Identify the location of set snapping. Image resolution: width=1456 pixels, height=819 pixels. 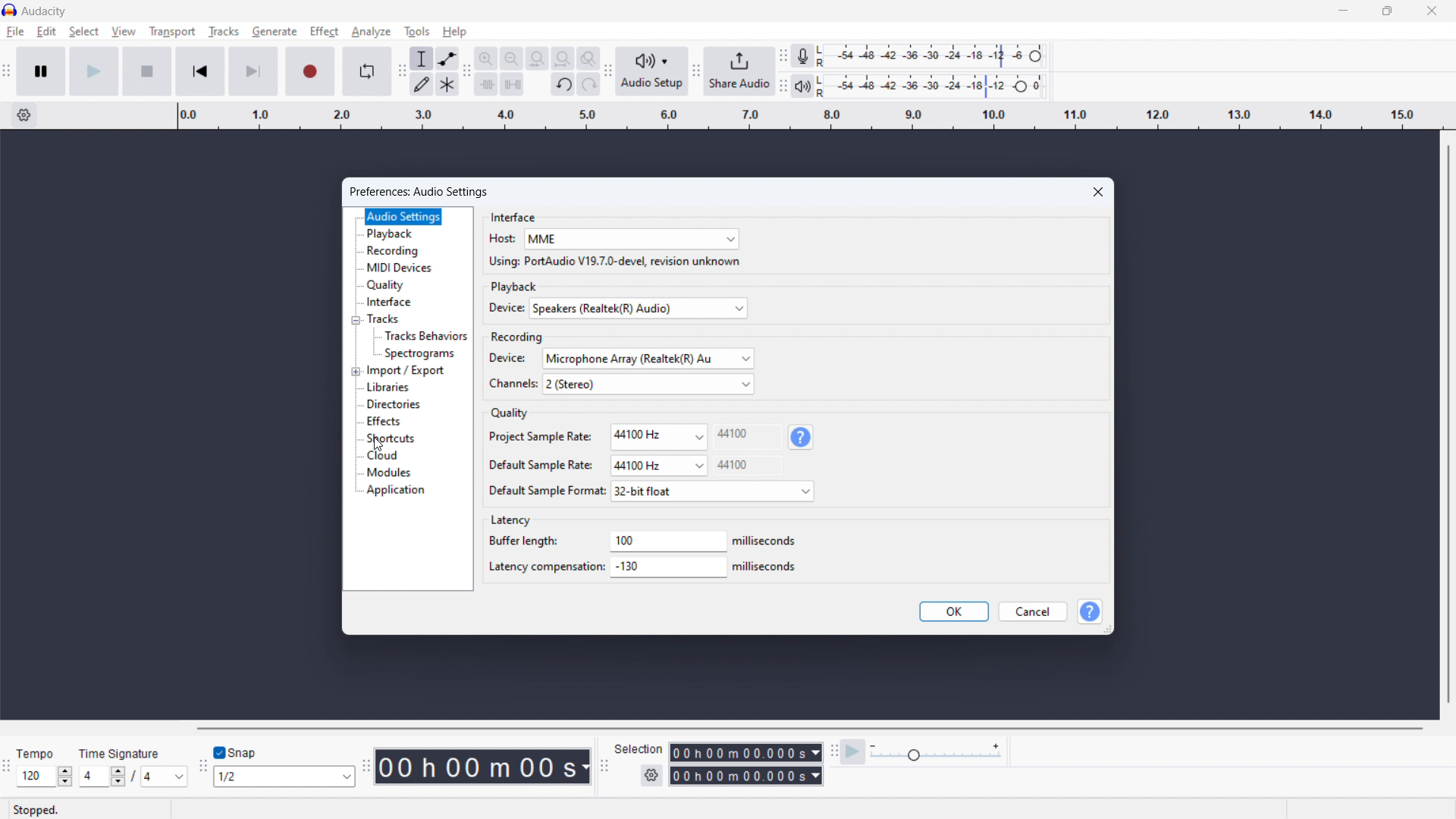
(284, 776).